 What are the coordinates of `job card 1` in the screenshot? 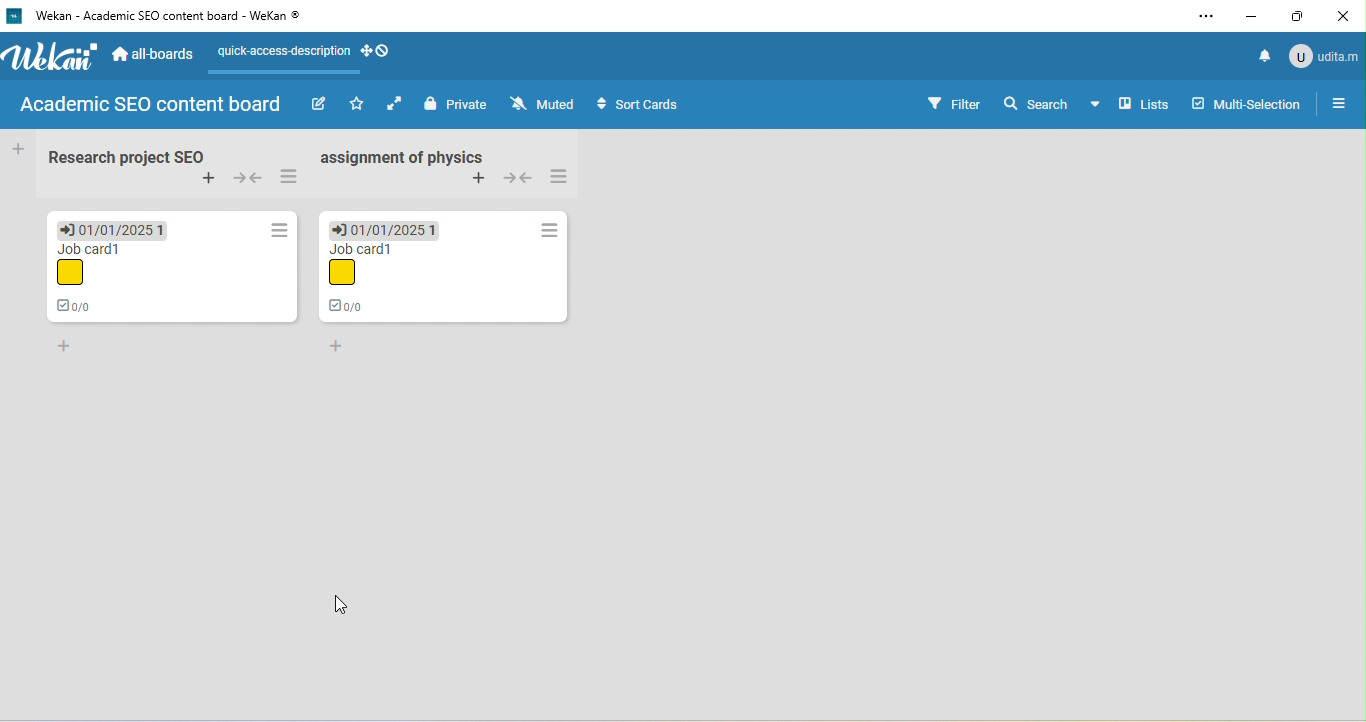 It's located at (88, 265).